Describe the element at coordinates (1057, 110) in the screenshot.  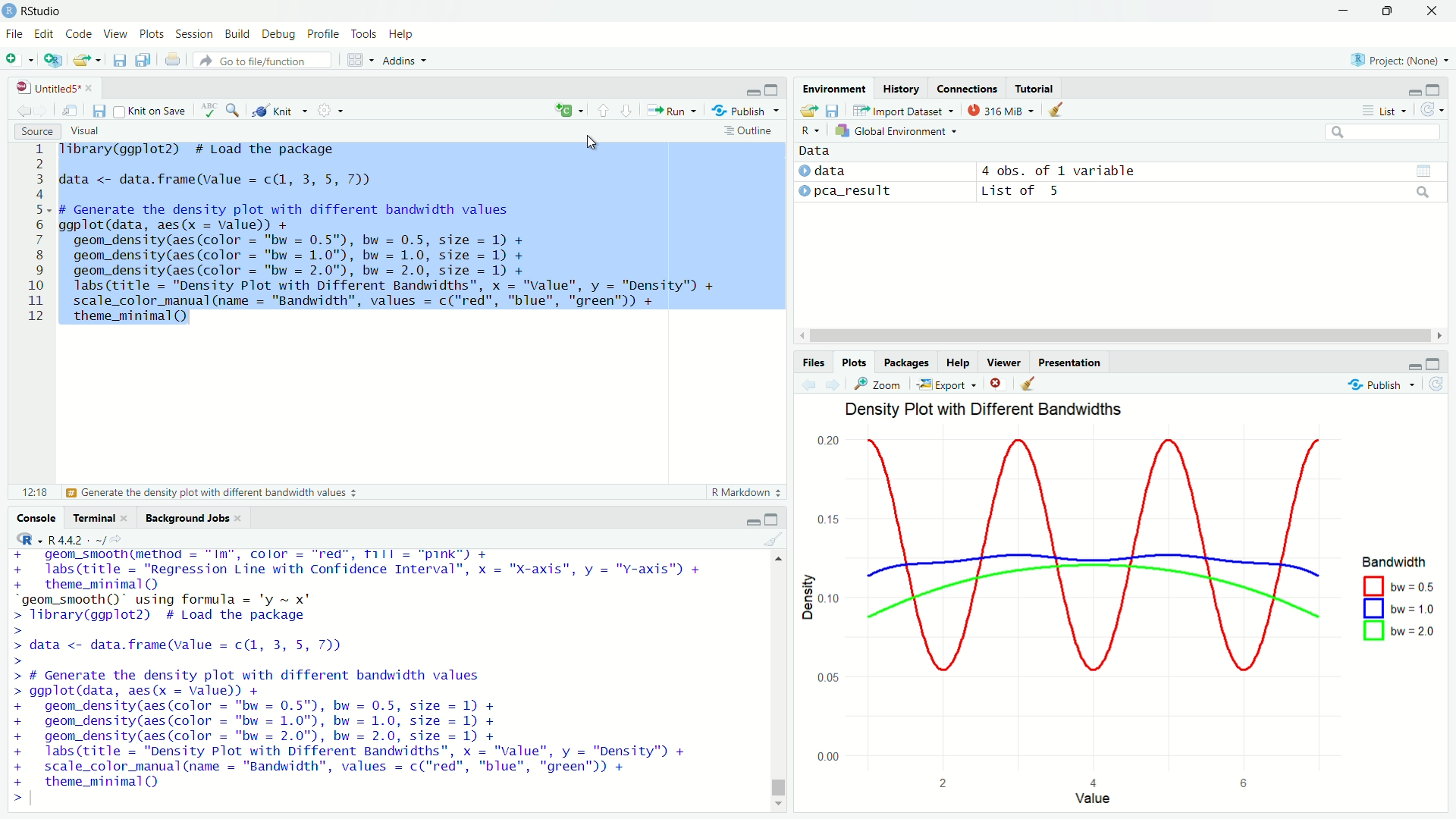
I see `Clear objects from workspace` at that location.